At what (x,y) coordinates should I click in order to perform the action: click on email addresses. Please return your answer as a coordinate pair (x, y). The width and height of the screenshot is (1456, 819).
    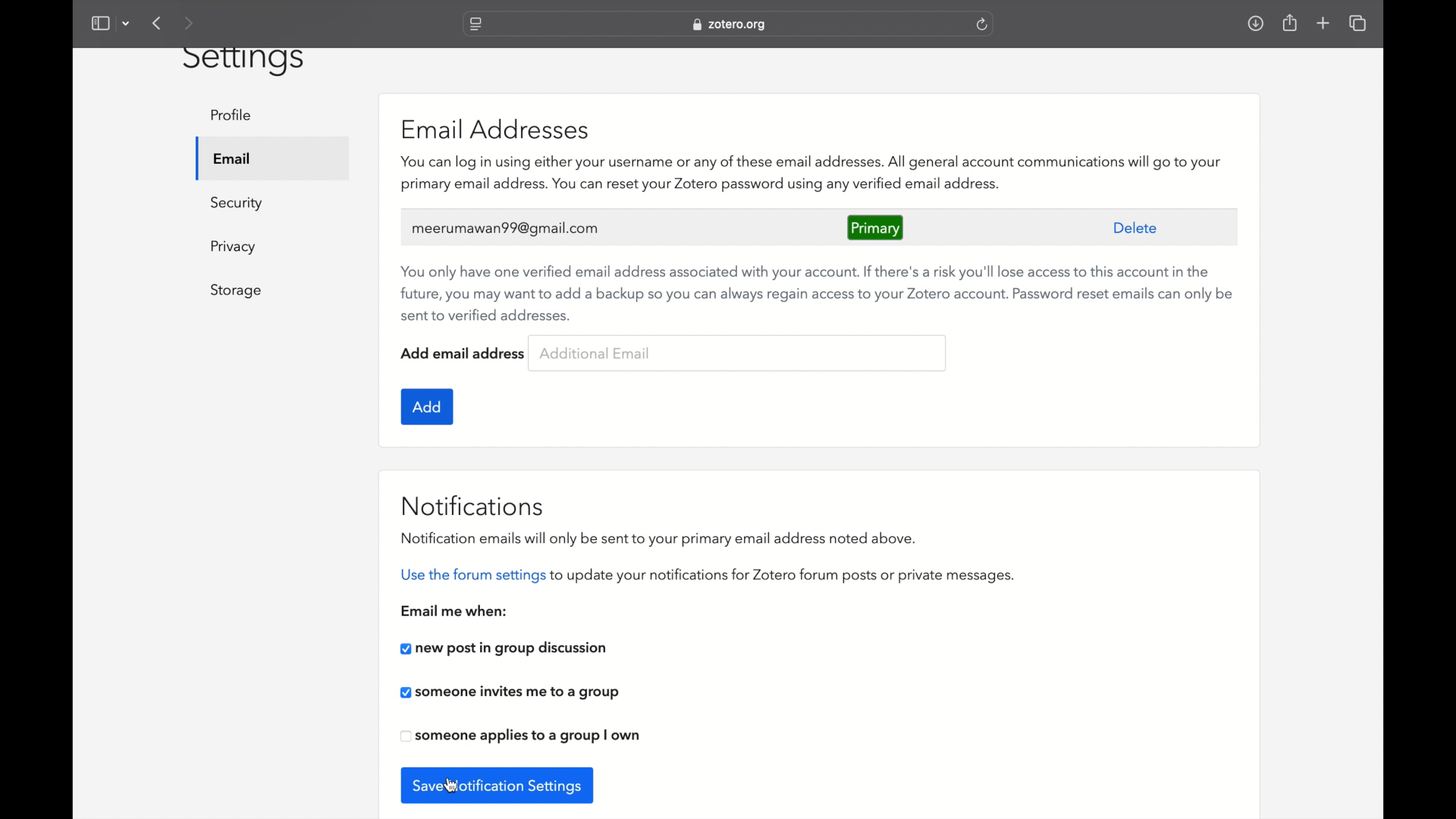
    Looking at the image, I should click on (494, 128).